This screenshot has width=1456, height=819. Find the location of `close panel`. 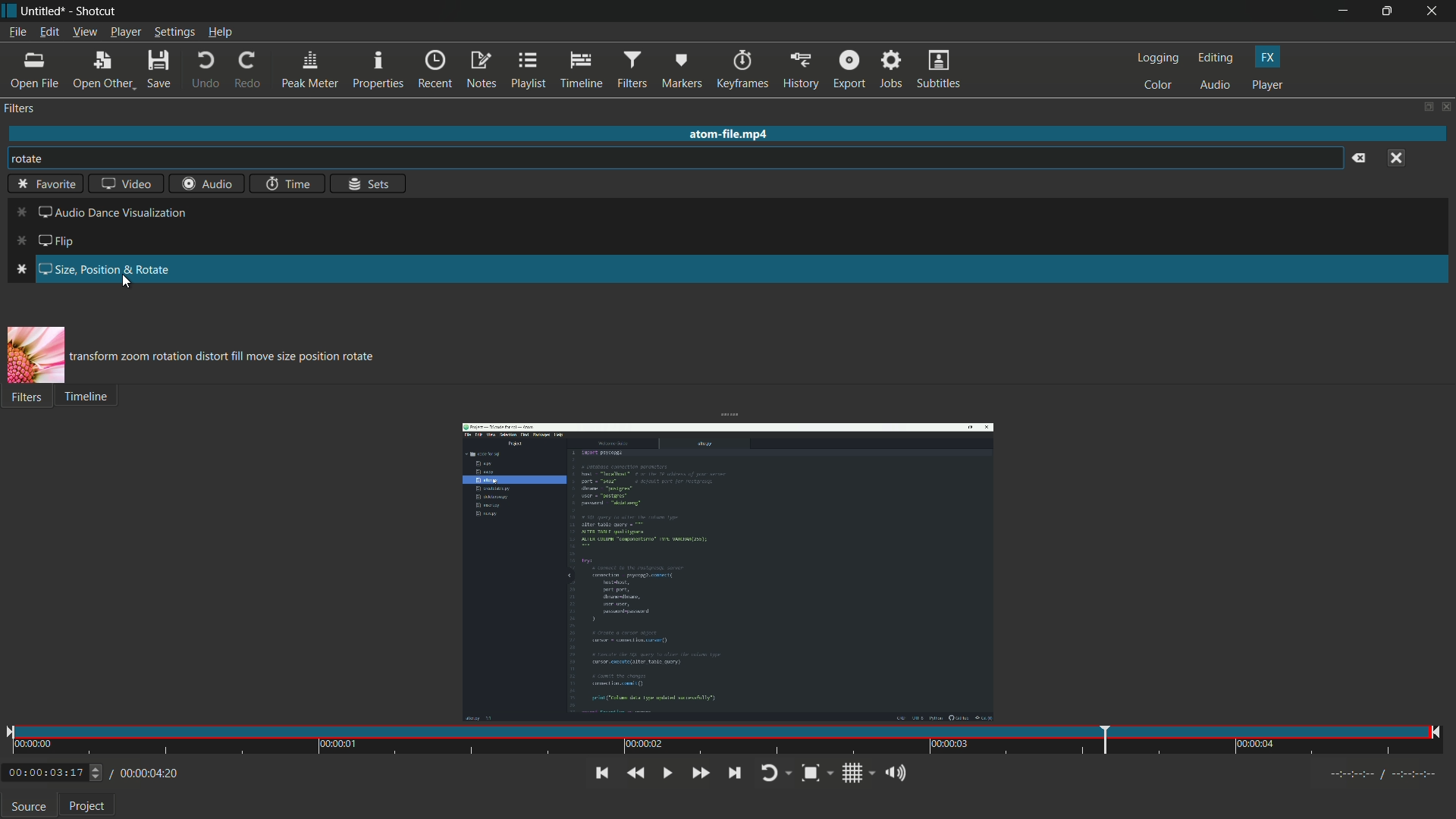

close panel is located at coordinates (1445, 106).